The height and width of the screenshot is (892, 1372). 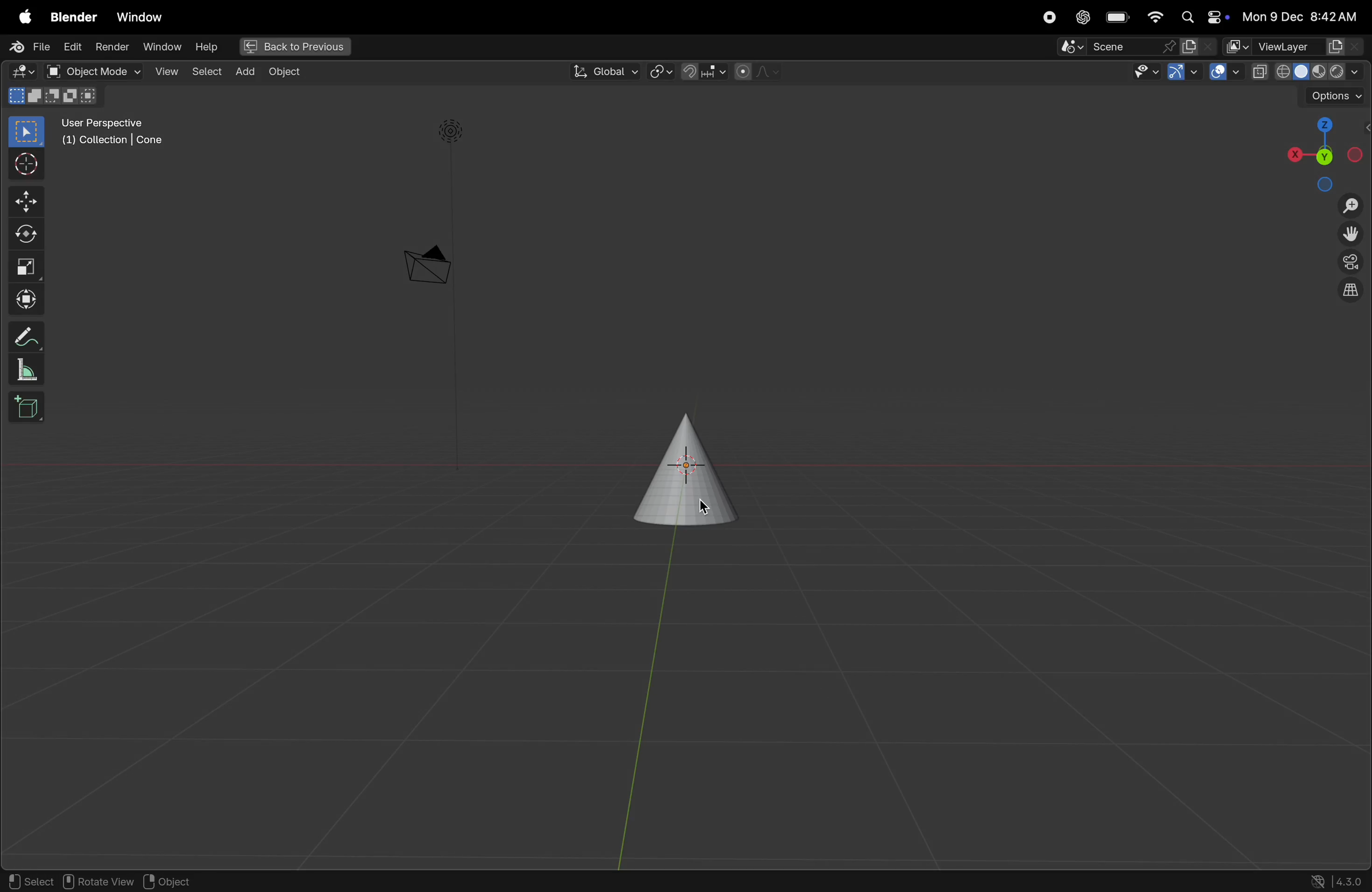 What do you see at coordinates (1226, 71) in the screenshot?
I see `show overlays` at bounding box center [1226, 71].